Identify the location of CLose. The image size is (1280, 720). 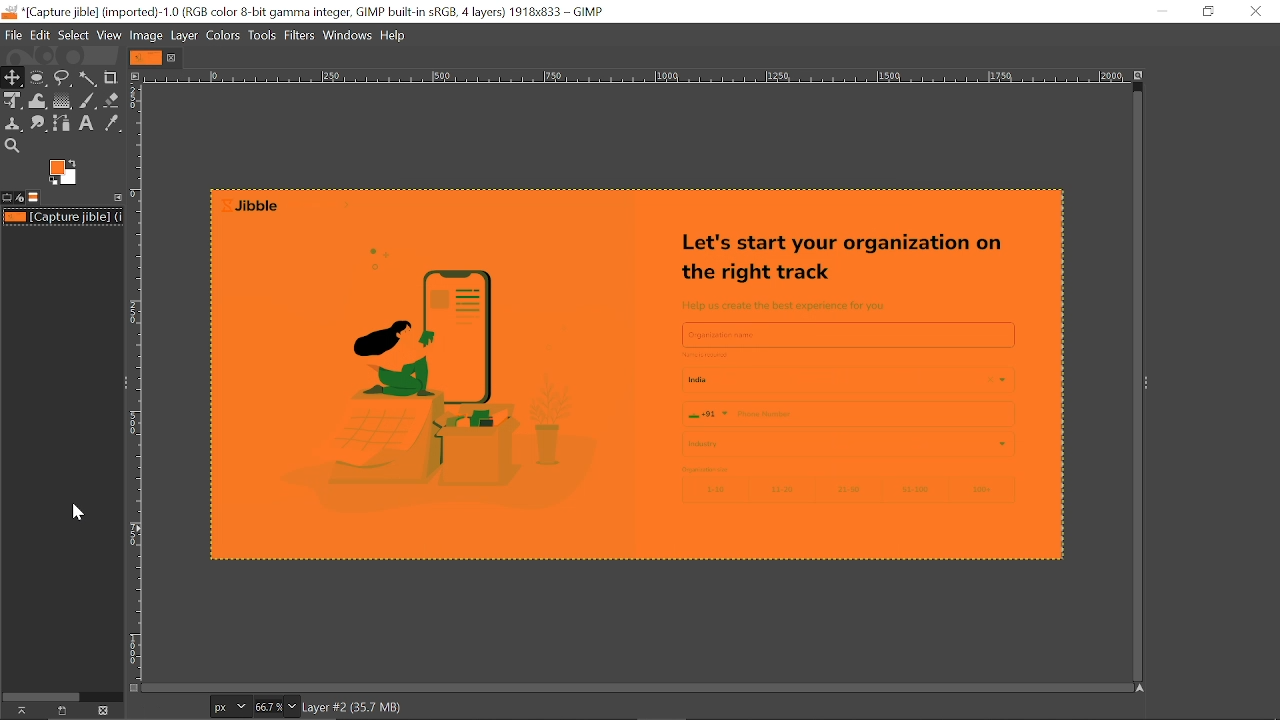
(1254, 10).